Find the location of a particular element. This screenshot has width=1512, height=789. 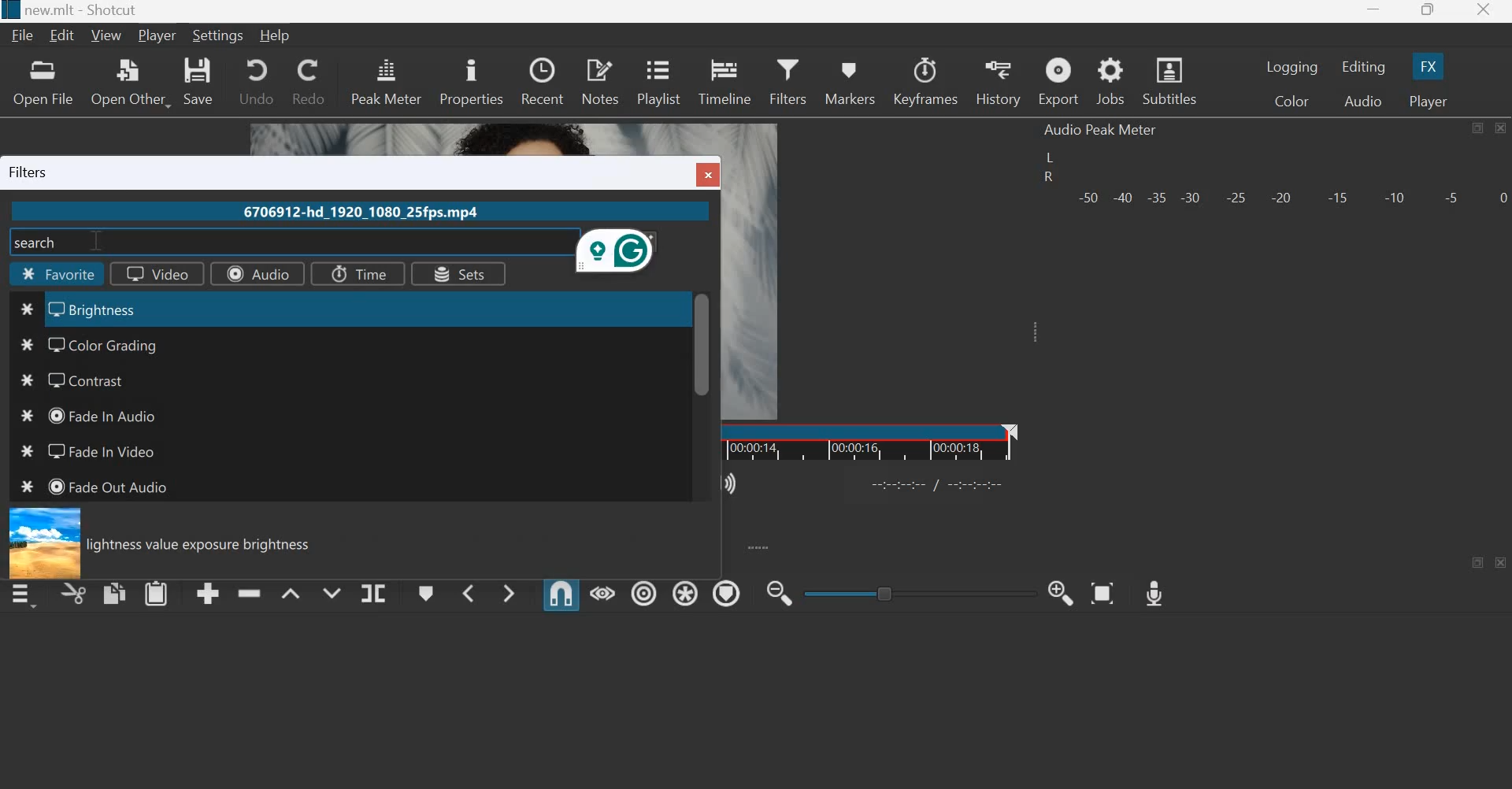

open file is located at coordinates (42, 82).